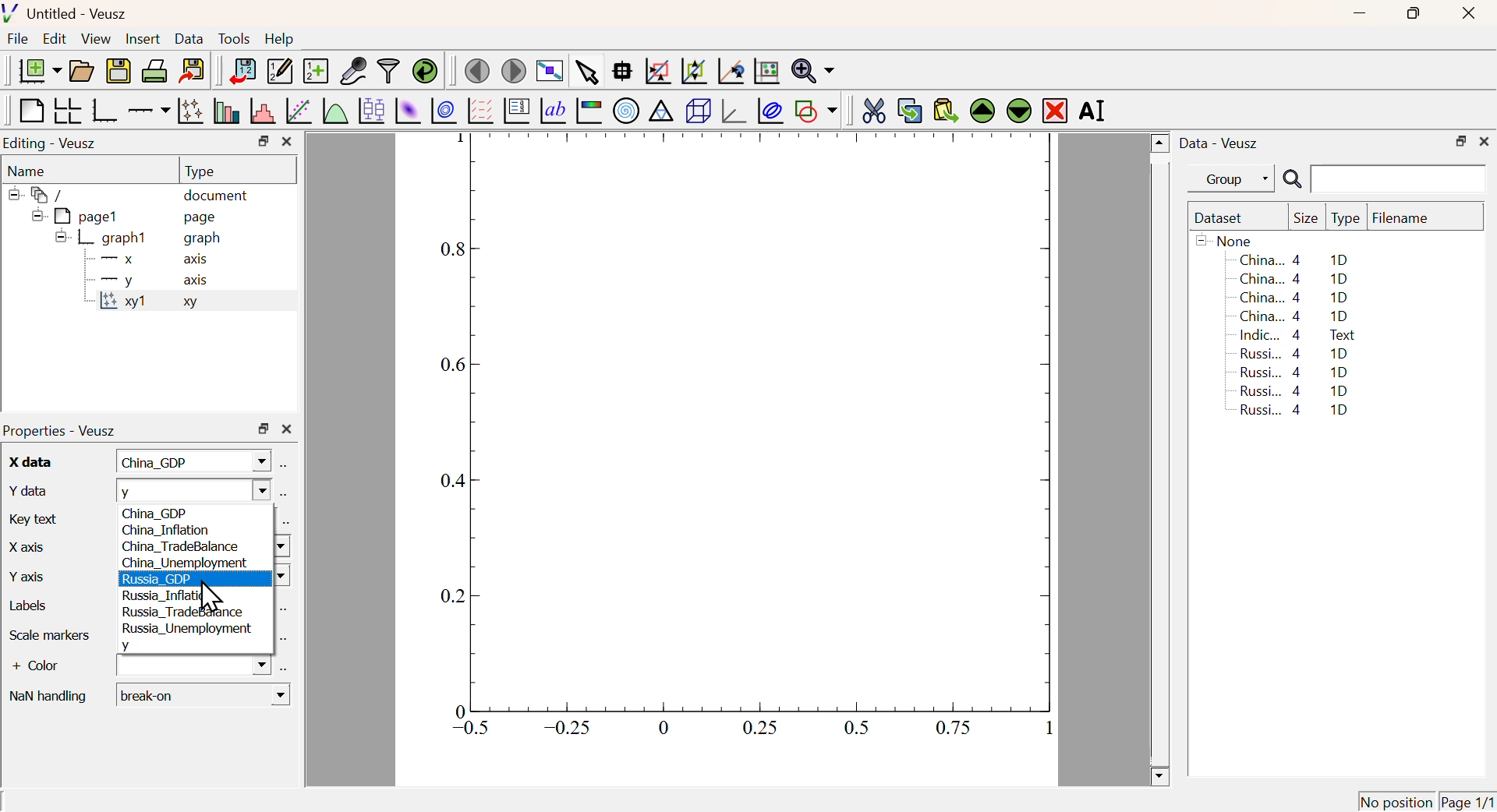  I want to click on Page 1/1, so click(1466, 801).